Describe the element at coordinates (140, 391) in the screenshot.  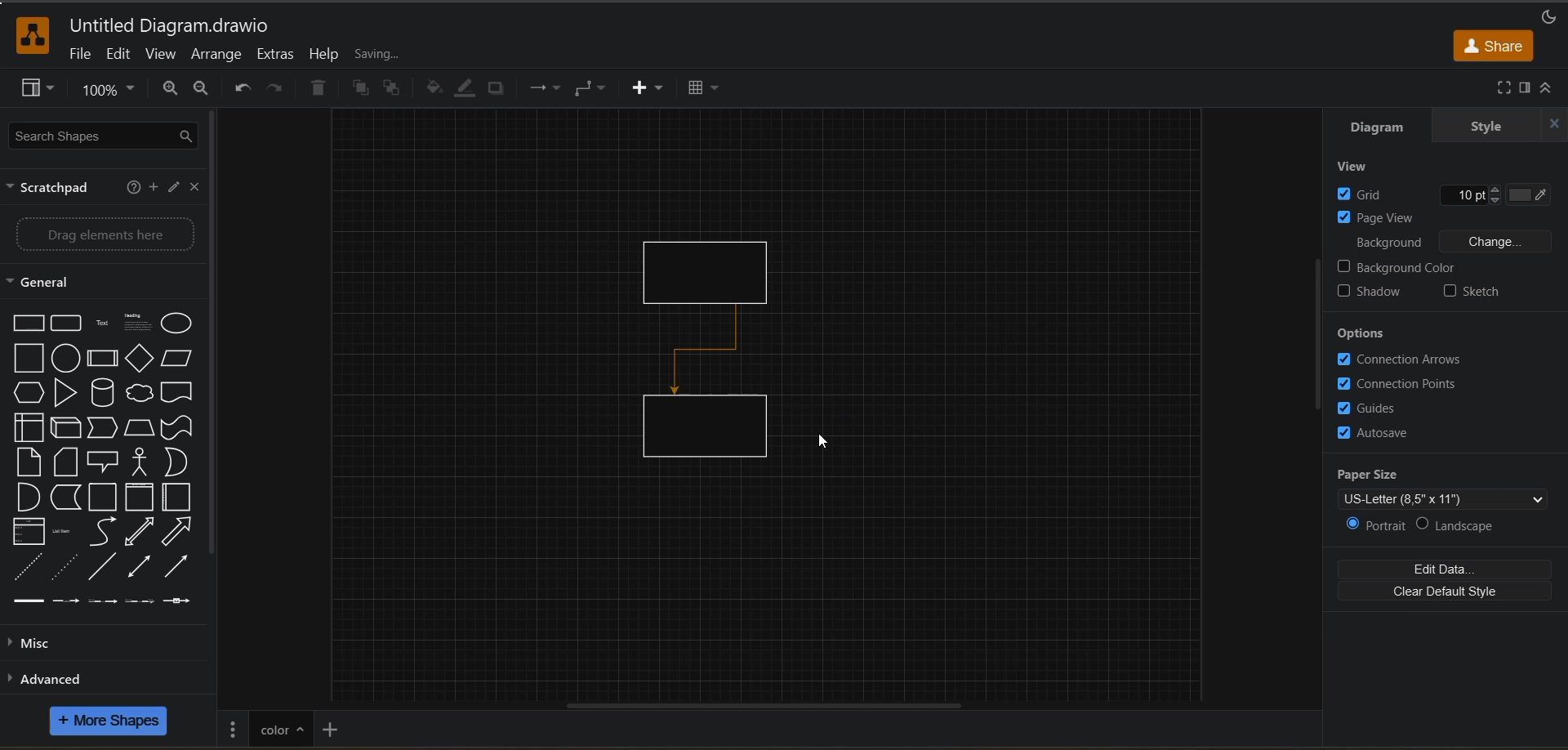
I see `Cloud` at that location.